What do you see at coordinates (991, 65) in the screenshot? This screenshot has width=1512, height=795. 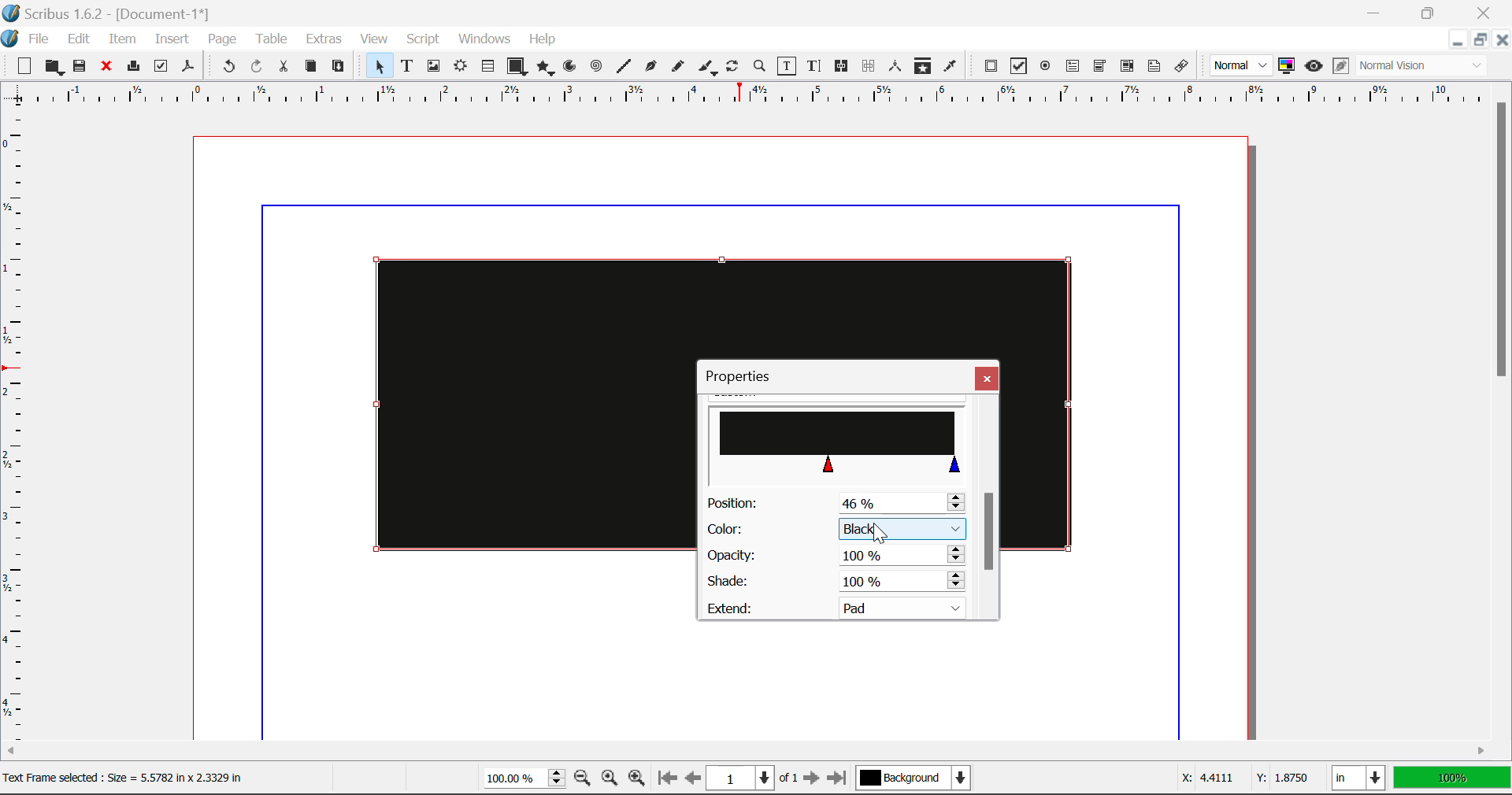 I see `PDF Push Button` at bounding box center [991, 65].